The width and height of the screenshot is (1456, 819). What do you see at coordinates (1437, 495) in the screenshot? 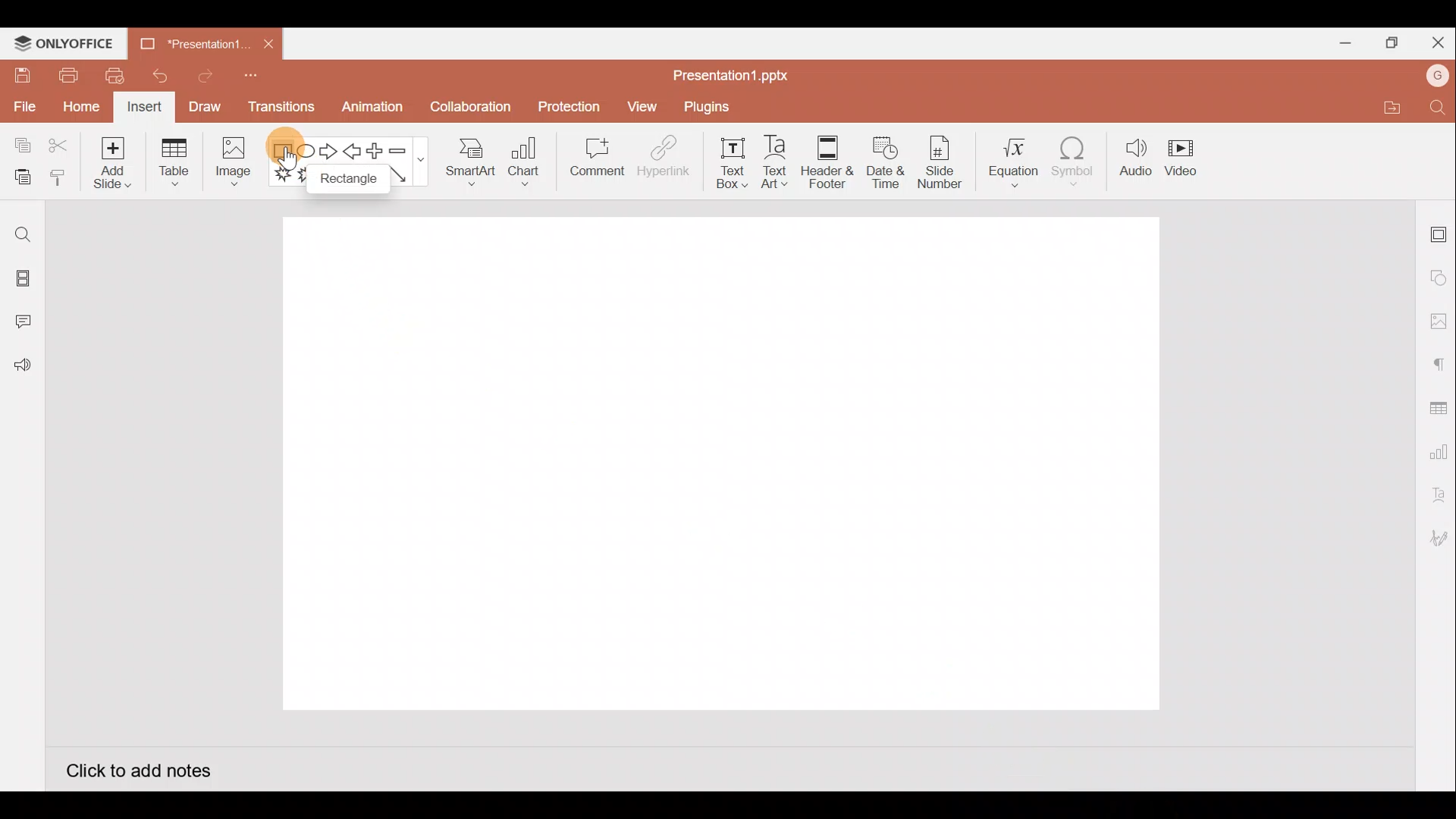
I see `Text Art settings` at bounding box center [1437, 495].